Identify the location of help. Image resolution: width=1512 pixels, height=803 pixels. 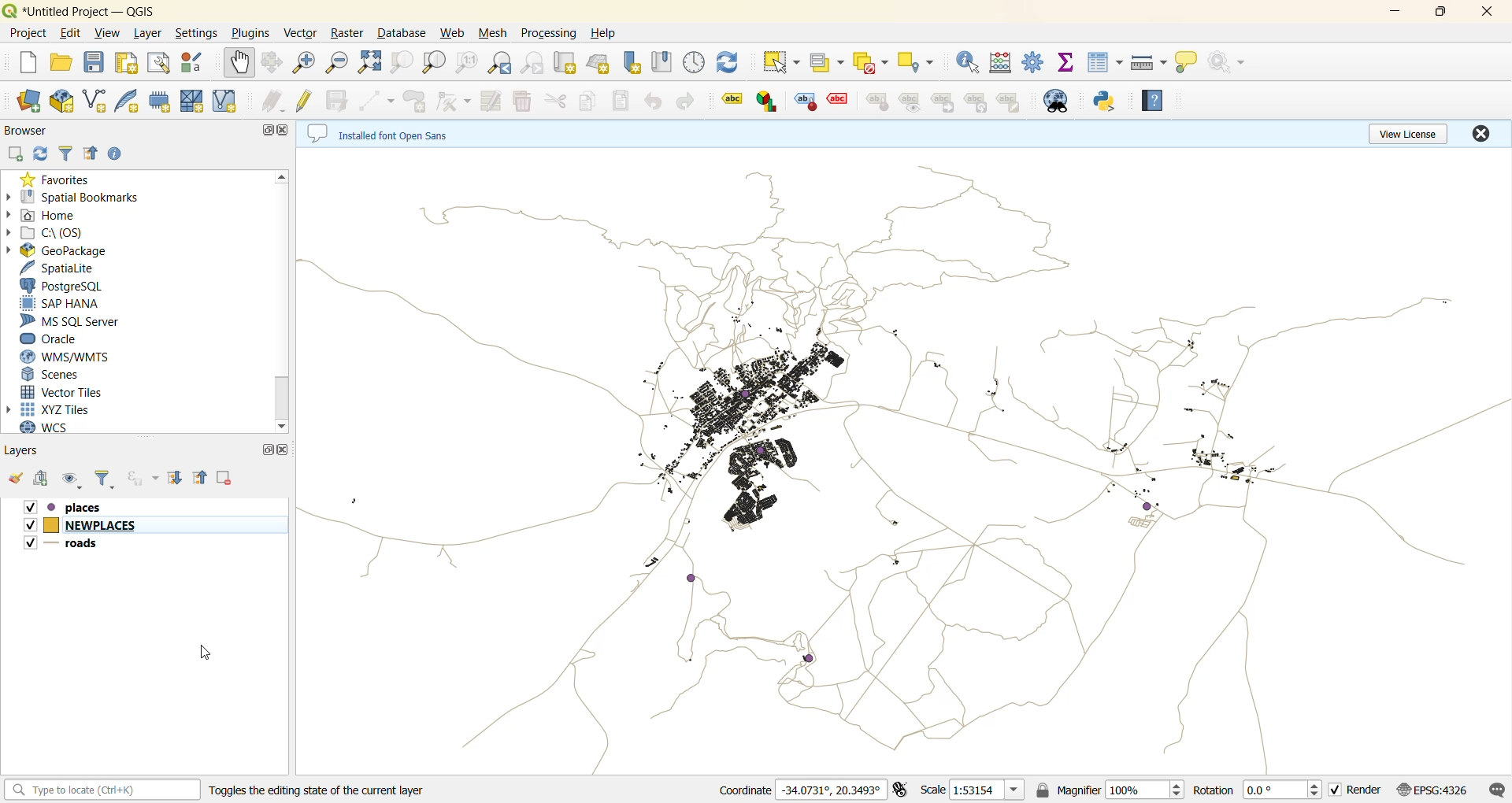
(1154, 101).